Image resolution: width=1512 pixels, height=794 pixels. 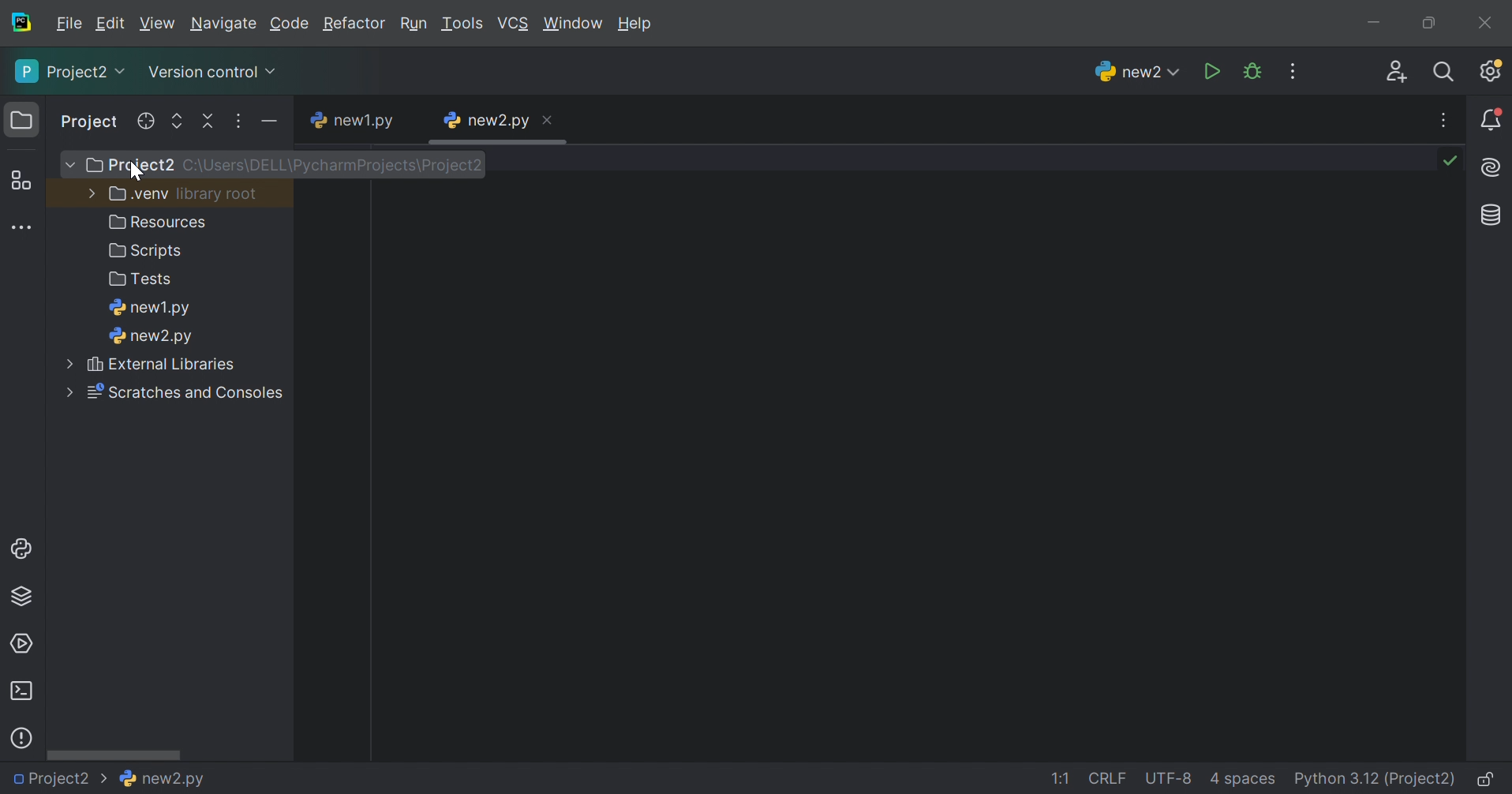 I want to click on new2.py, so click(x=168, y=781).